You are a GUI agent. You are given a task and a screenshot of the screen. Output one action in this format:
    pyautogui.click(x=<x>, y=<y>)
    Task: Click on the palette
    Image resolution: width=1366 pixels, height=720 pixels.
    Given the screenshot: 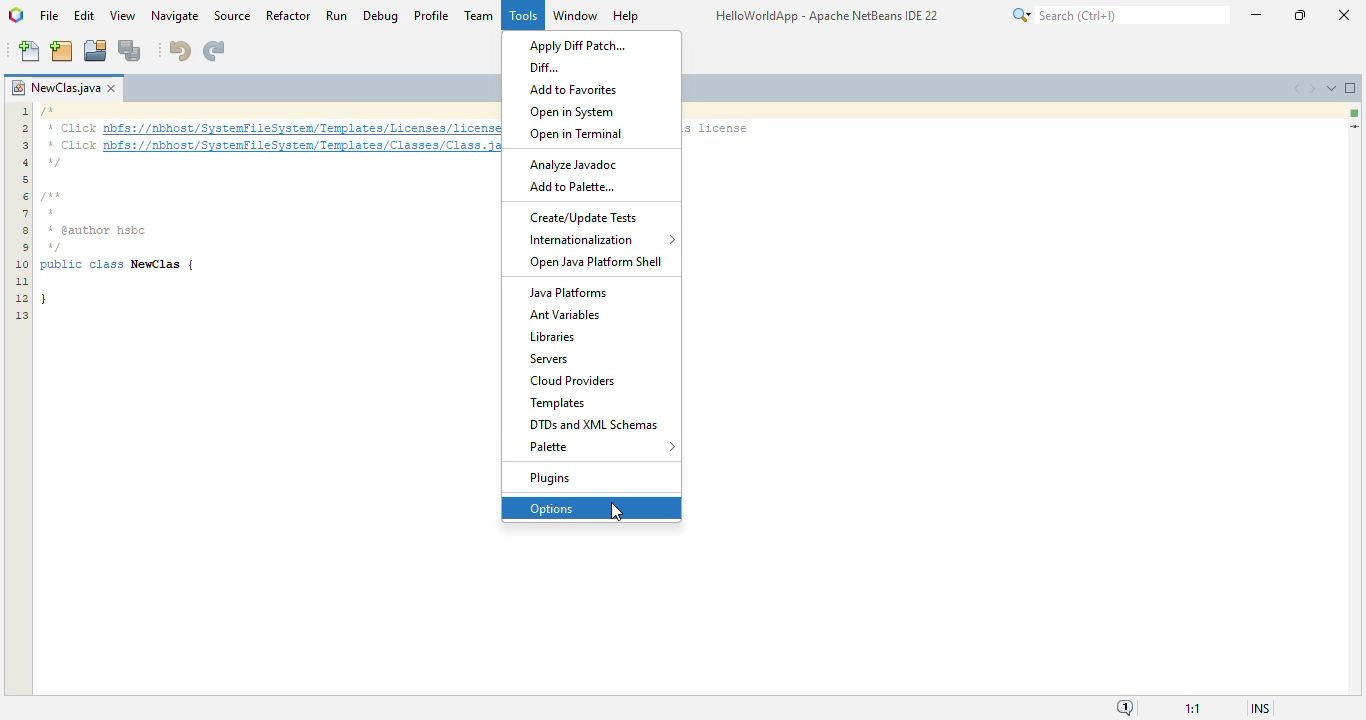 What is the action you would take?
    pyautogui.click(x=602, y=447)
    